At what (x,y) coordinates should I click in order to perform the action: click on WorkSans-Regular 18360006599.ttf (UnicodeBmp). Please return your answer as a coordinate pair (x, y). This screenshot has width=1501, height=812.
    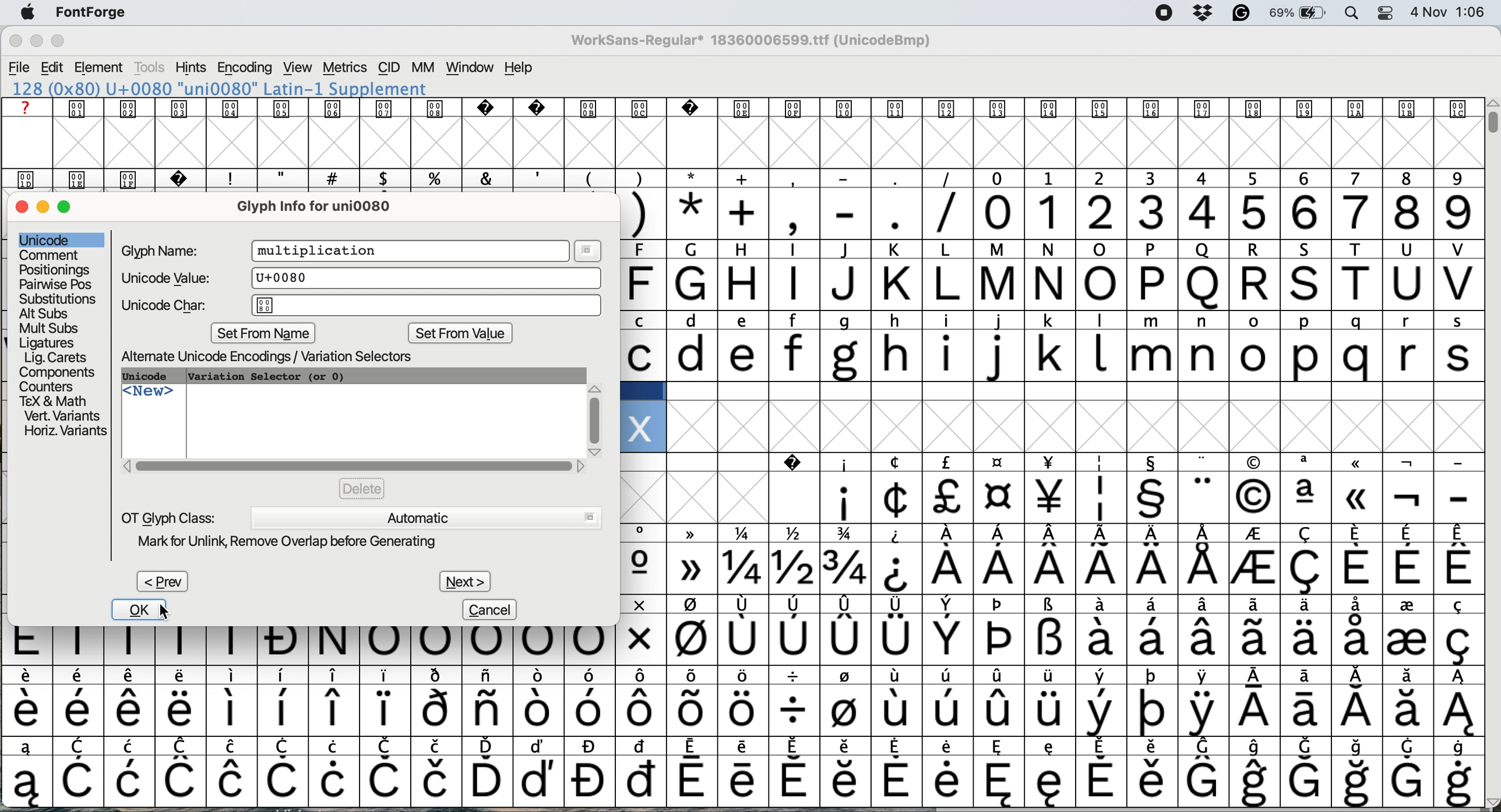
    Looking at the image, I should click on (756, 43).